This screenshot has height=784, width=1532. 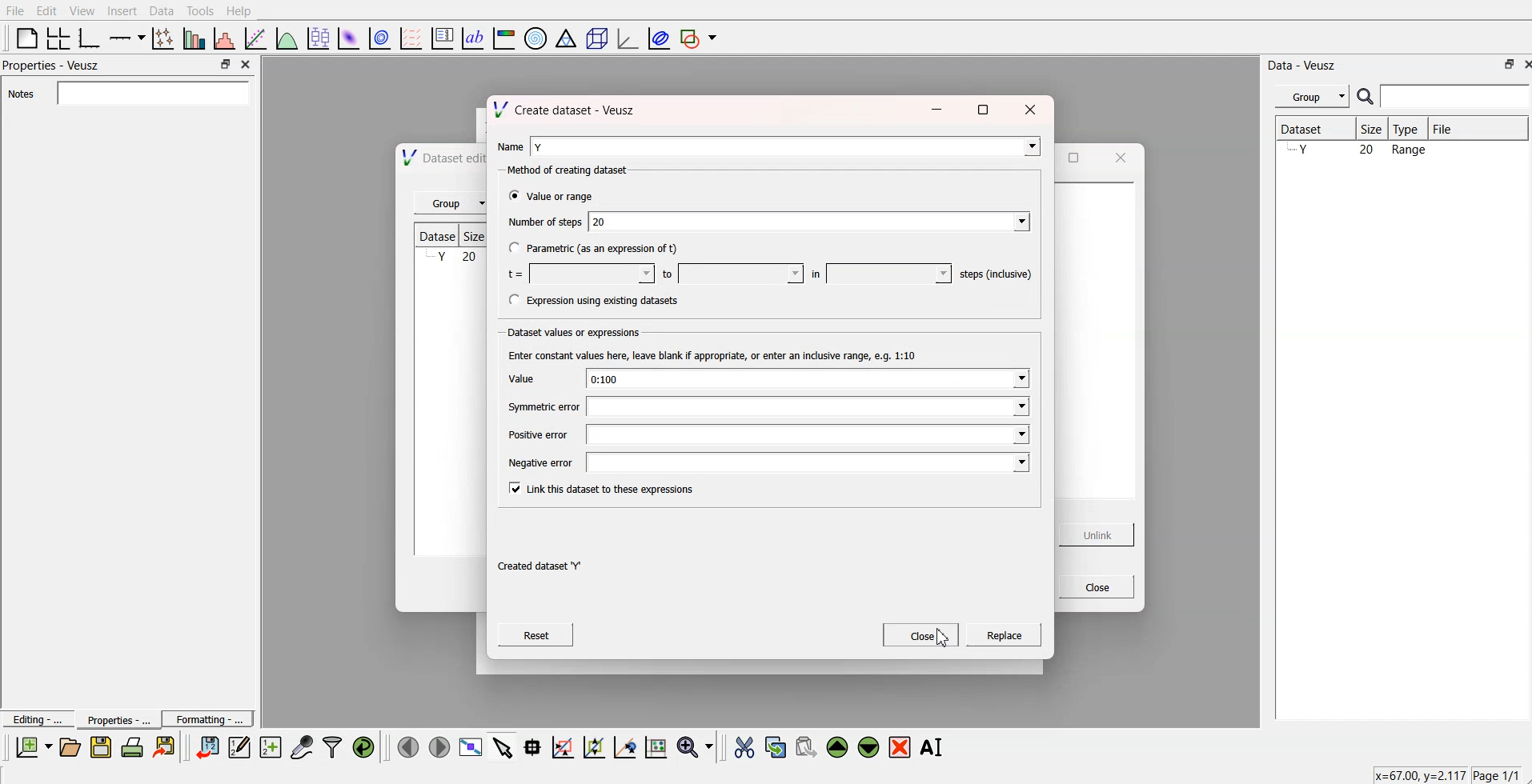 What do you see at coordinates (518, 378) in the screenshot?
I see `Value` at bounding box center [518, 378].